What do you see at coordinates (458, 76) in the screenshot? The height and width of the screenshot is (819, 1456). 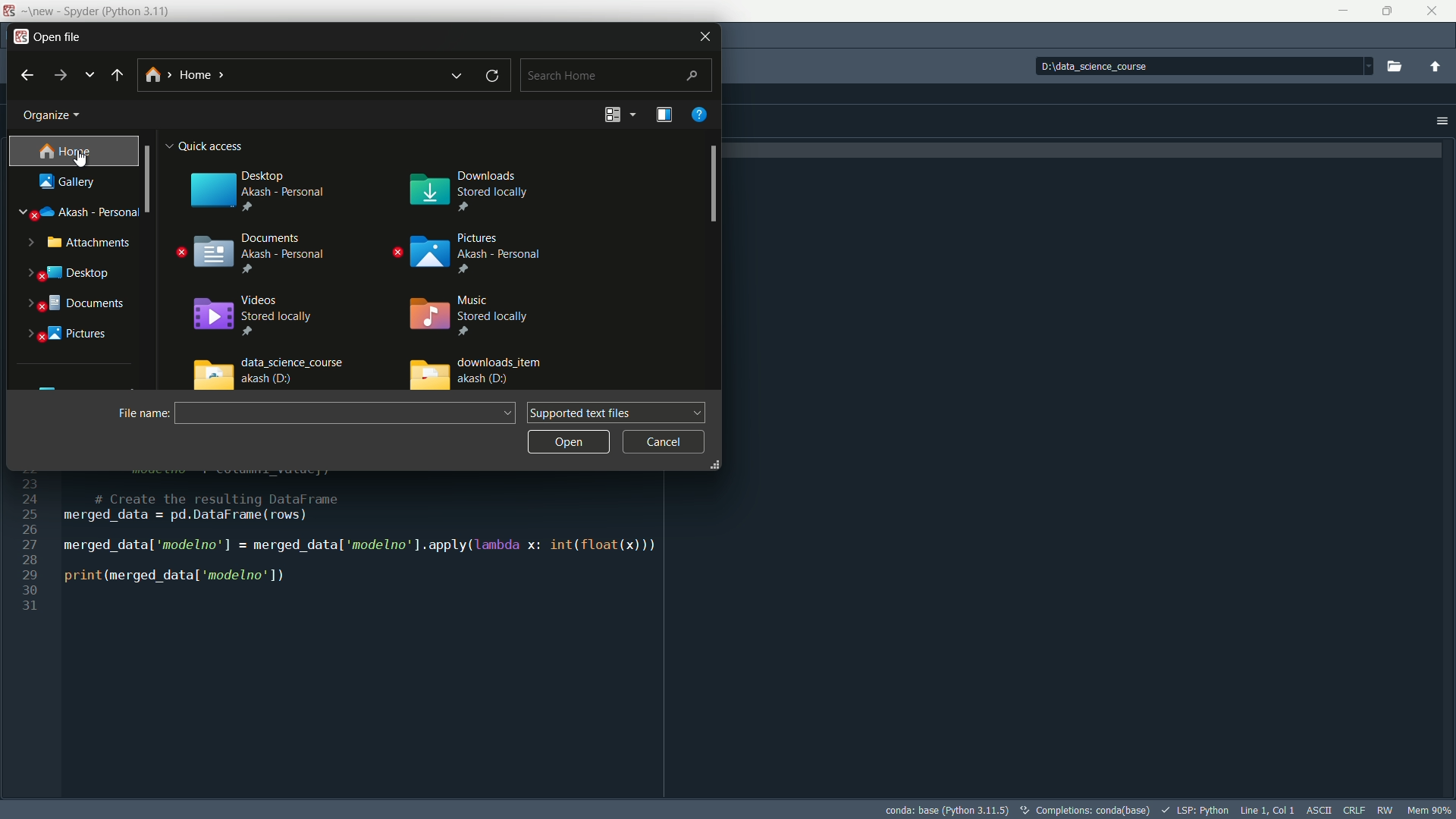 I see `dropdown` at bounding box center [458, 76].